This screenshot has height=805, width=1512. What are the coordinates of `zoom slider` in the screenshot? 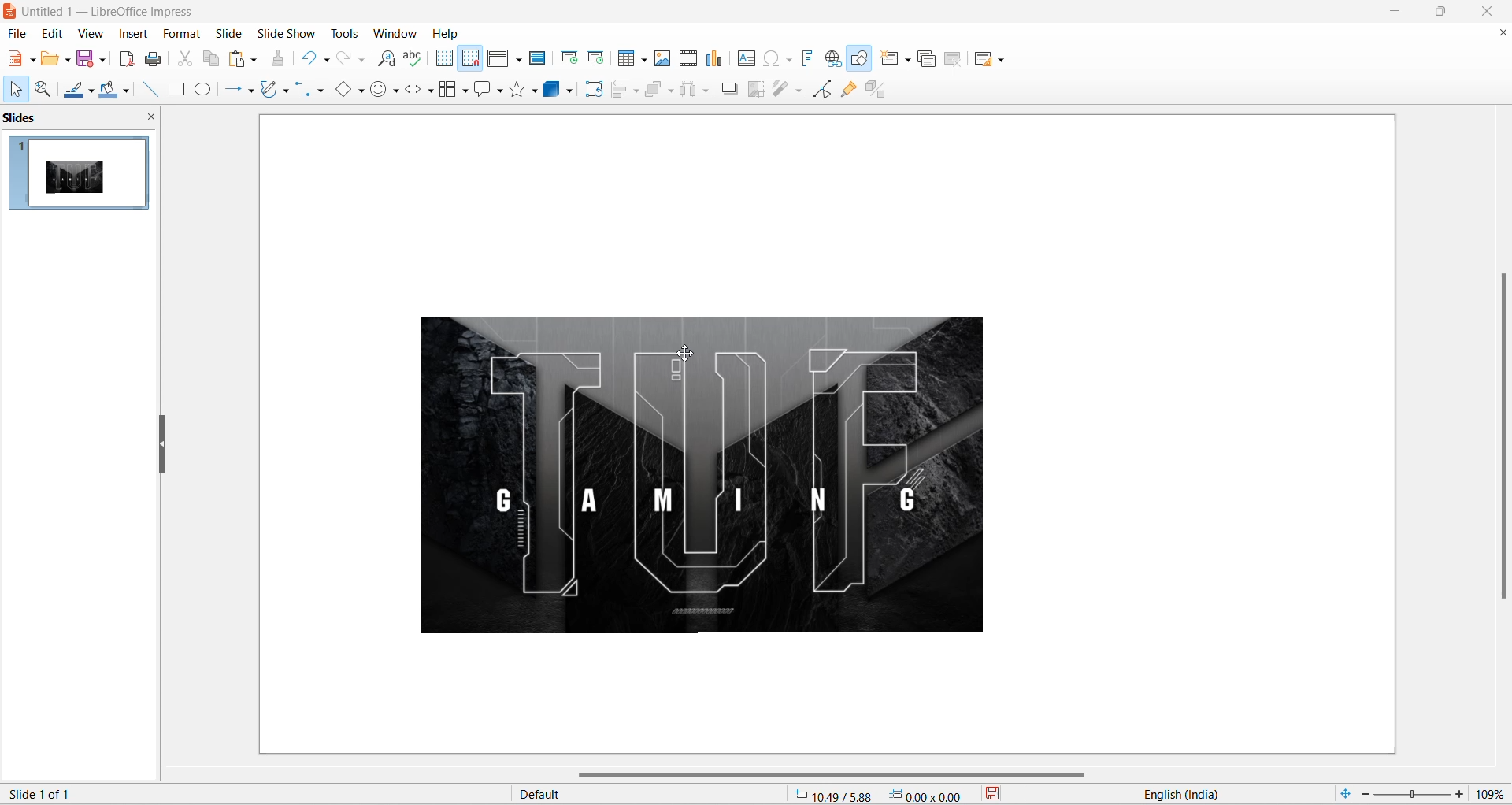 It's located at (1411, 795).